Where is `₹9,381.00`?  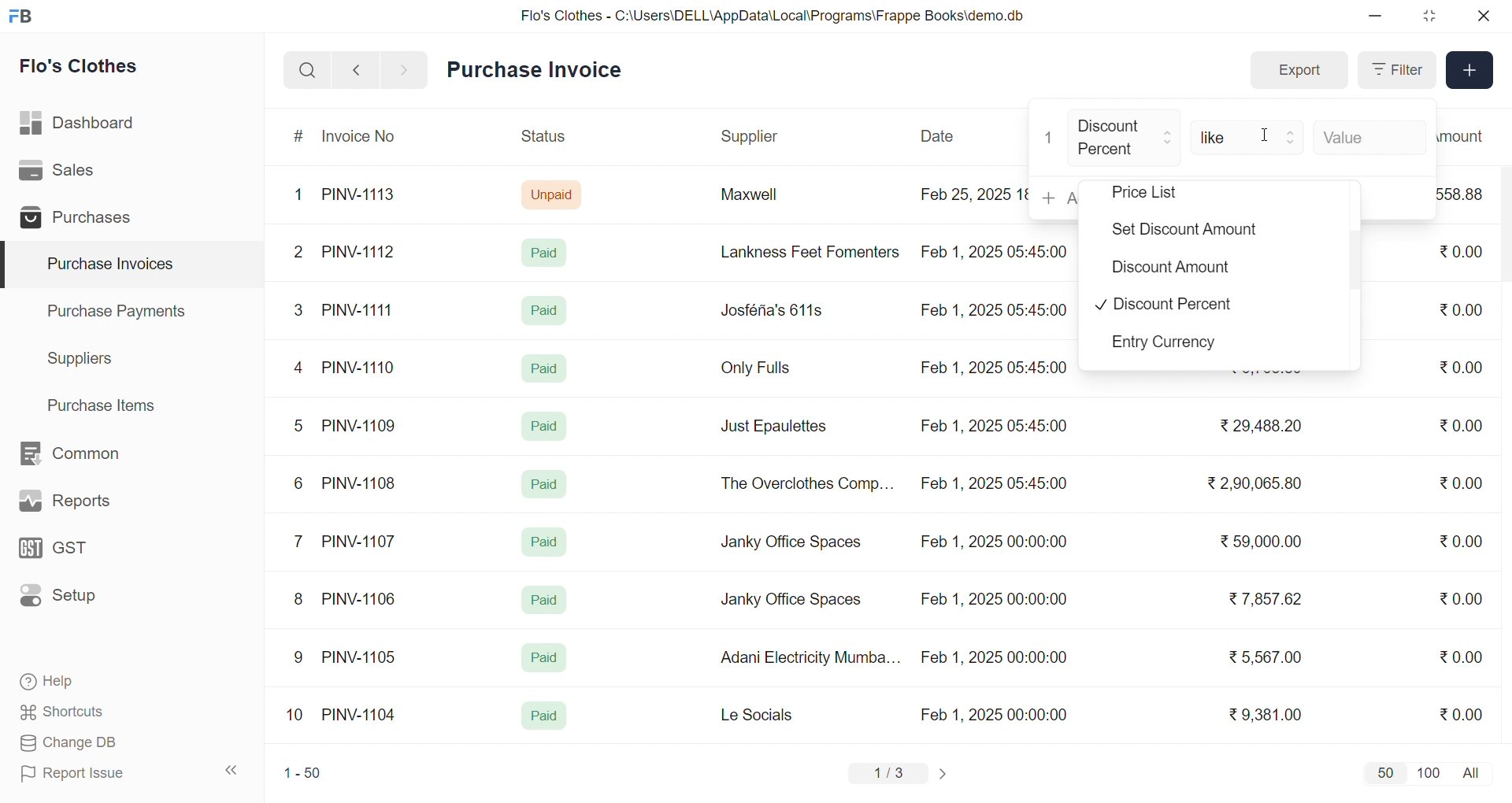
₹9,381.00 is located at coordinates (1266, 715).